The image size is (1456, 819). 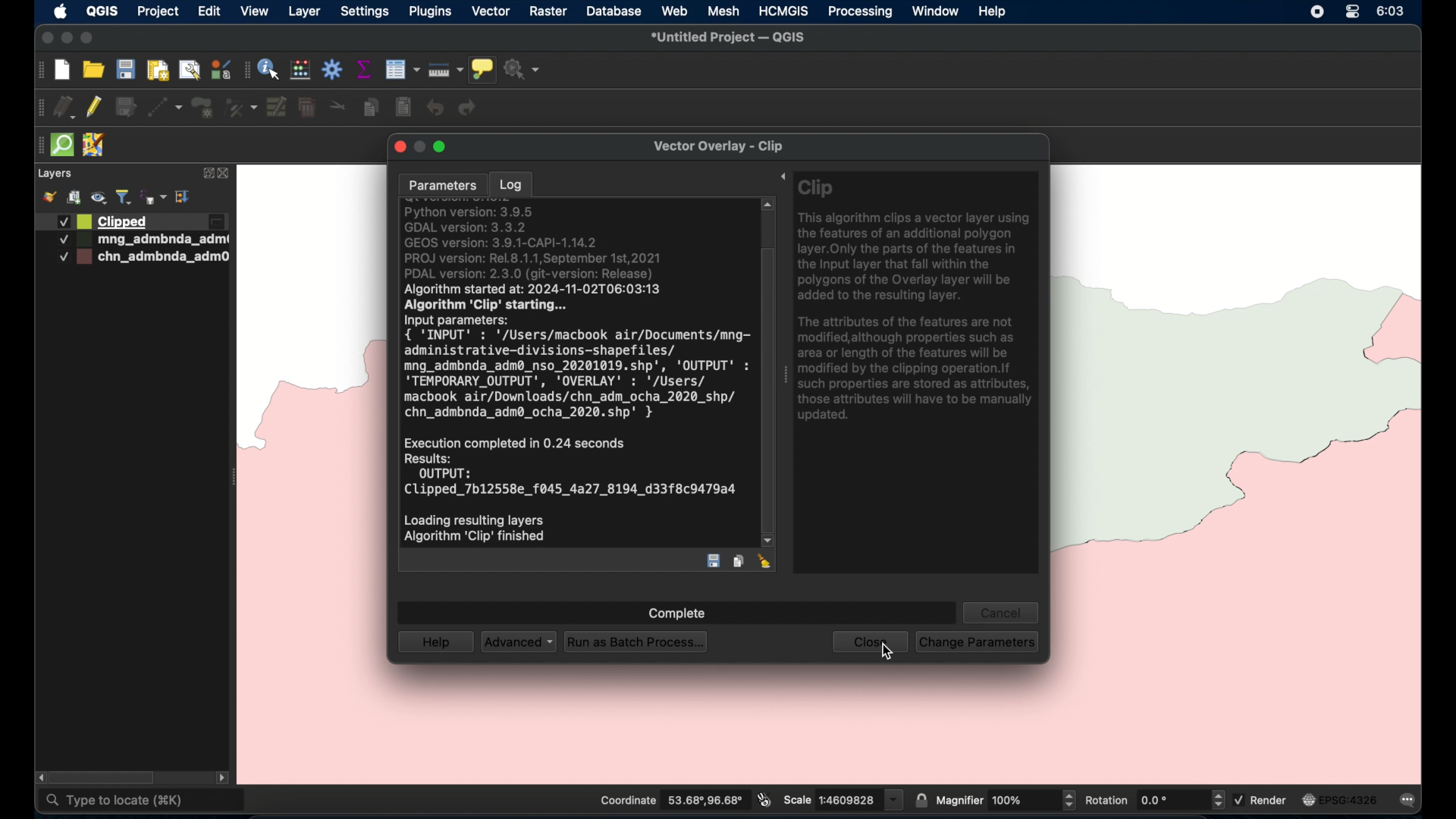 What do you see at coordinates (397, 146) in the screenshot?
I see `close button` at bounding box center [397, 146].